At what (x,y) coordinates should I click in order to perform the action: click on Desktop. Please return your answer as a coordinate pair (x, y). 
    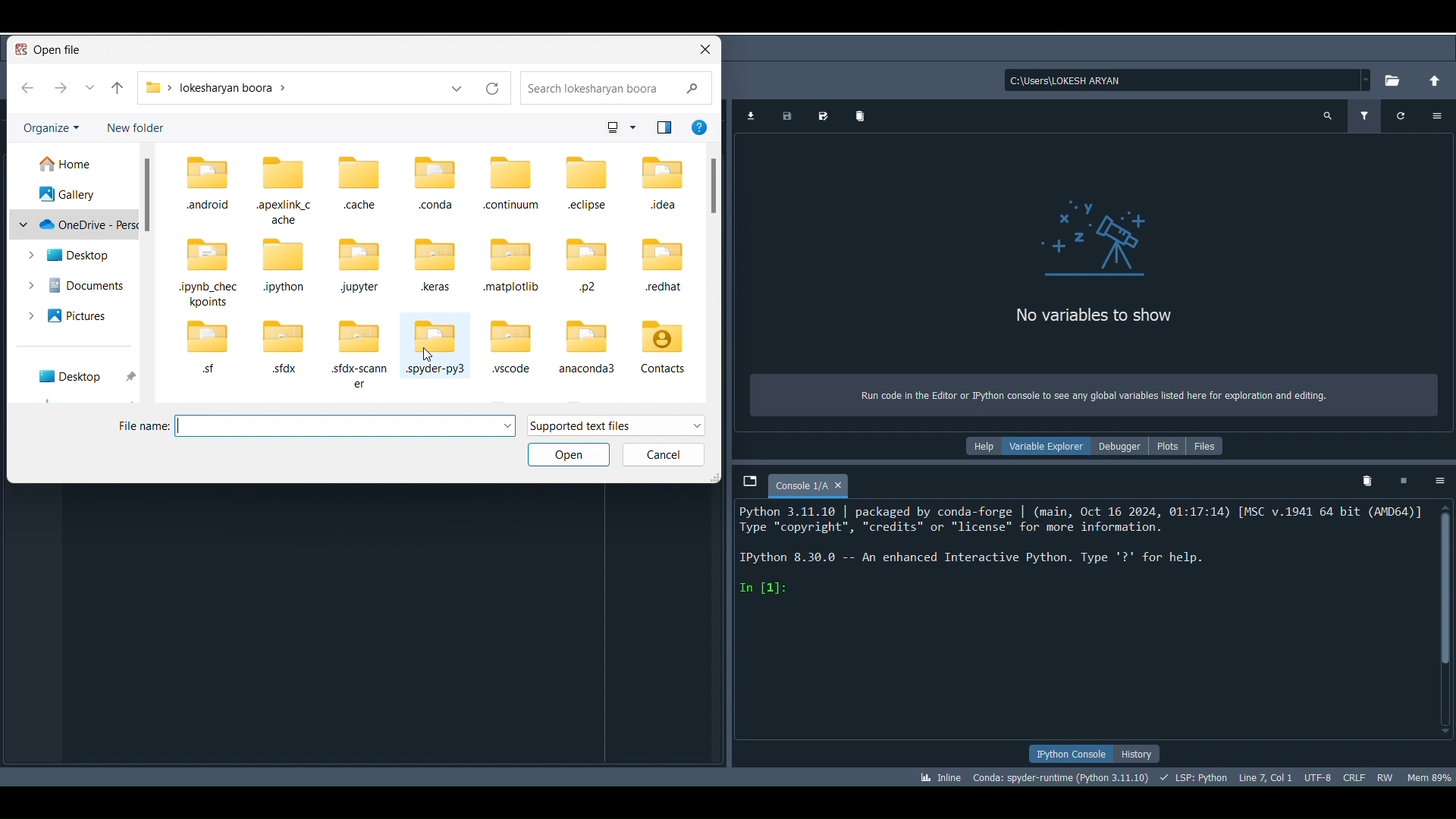
    Looking at the image, I should click on (85, 376).